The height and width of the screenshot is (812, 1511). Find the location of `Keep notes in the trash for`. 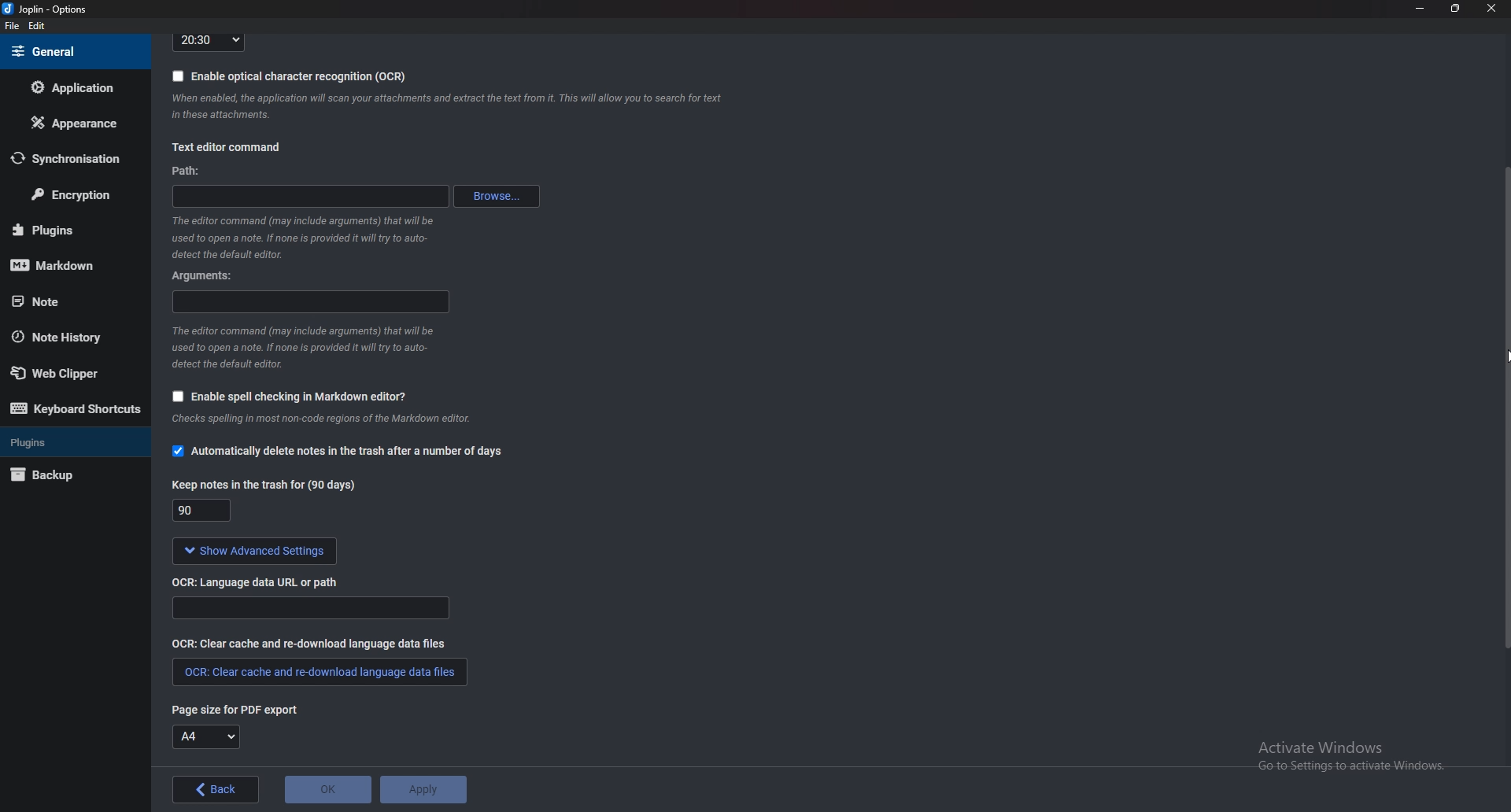

Keep notes in the trash for is located at coordinates (267, 484).